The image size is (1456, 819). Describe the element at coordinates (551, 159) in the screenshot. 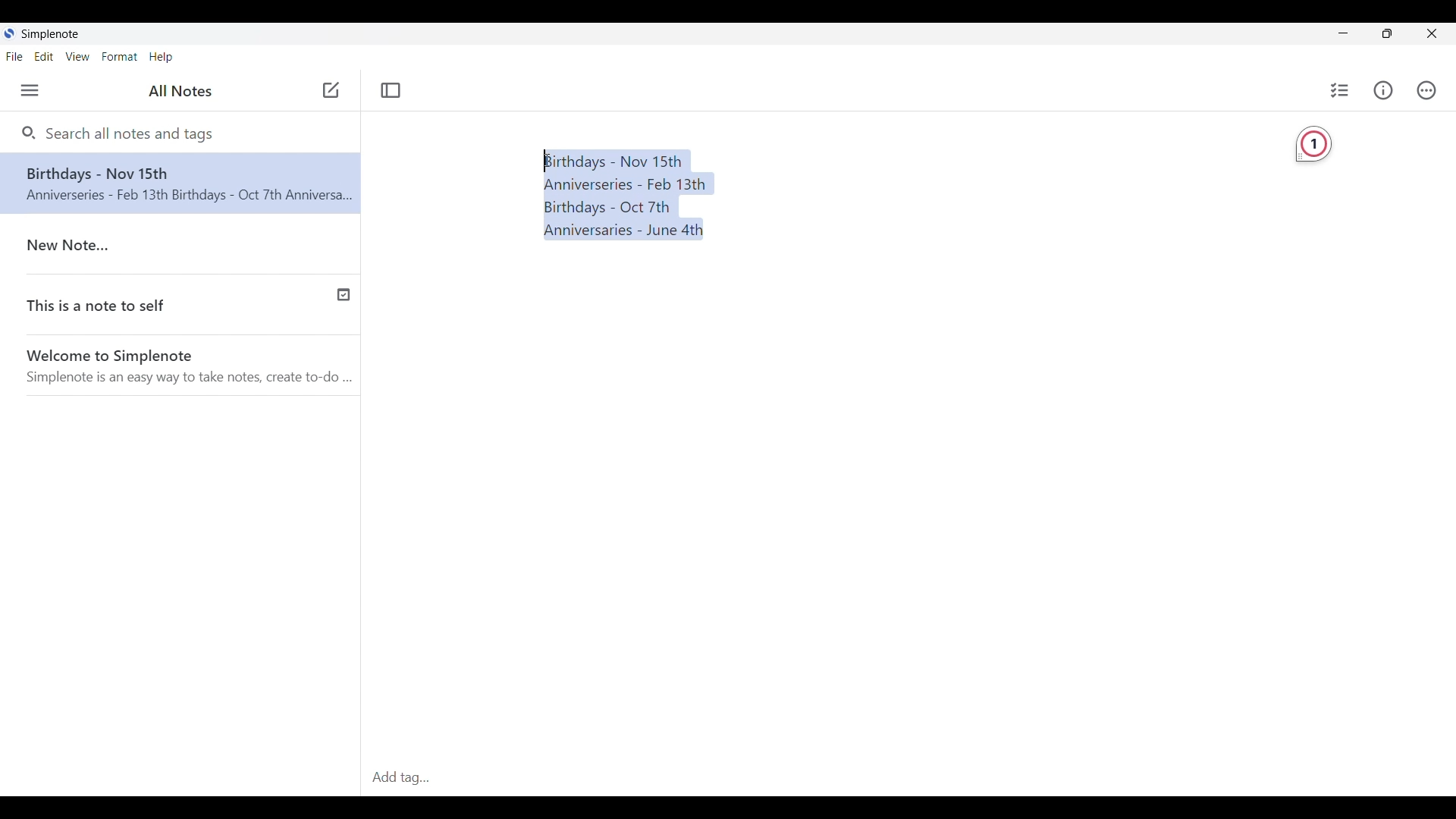

I see `Text Cursor(Cursor position unchanged after selecting text)` at that location.